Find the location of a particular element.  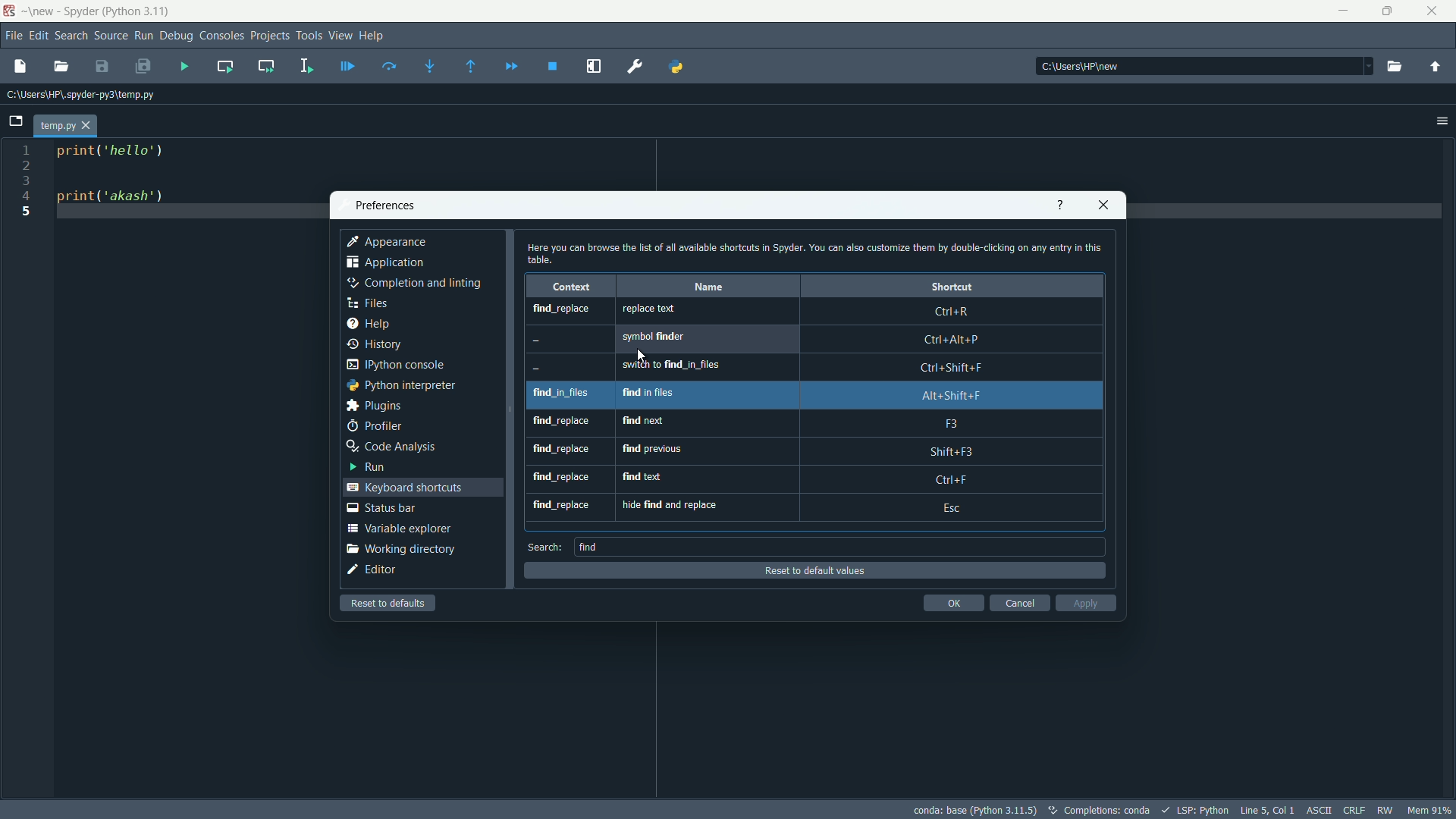

run is located at coordinates (372, 467).